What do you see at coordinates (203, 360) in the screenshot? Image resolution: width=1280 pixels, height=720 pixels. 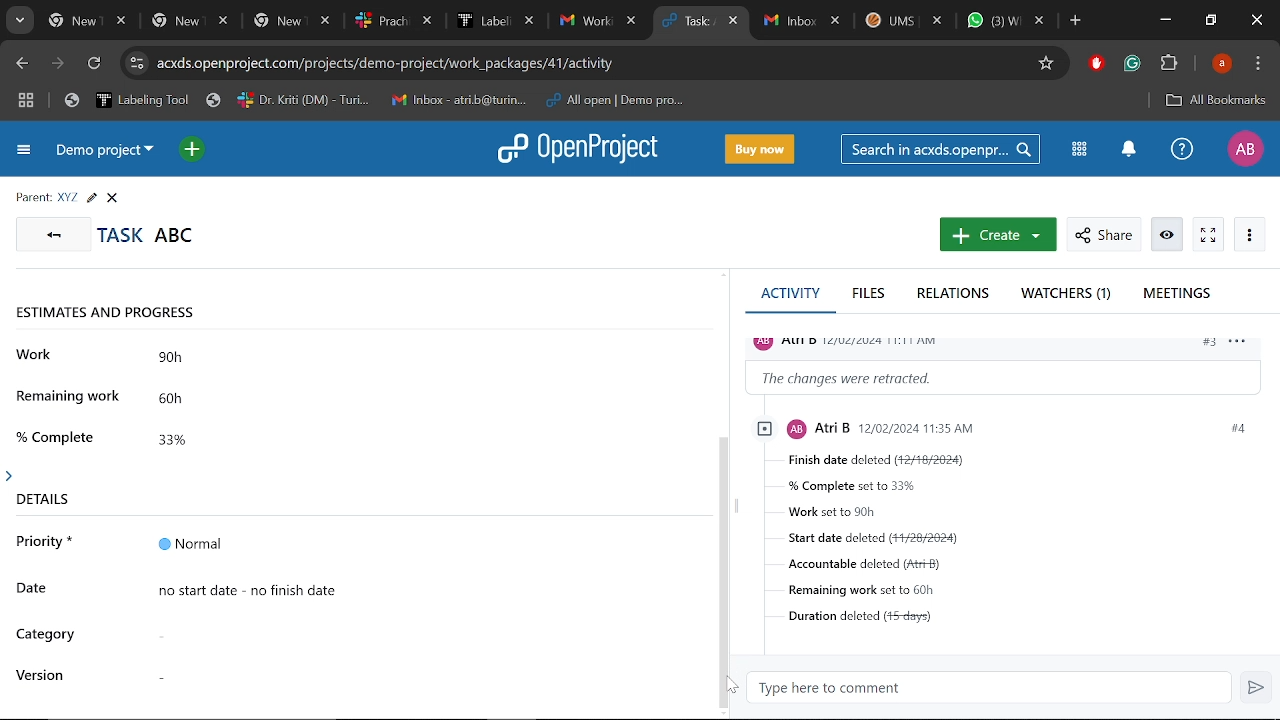 I see `90h` at bounding box center [203, 360].